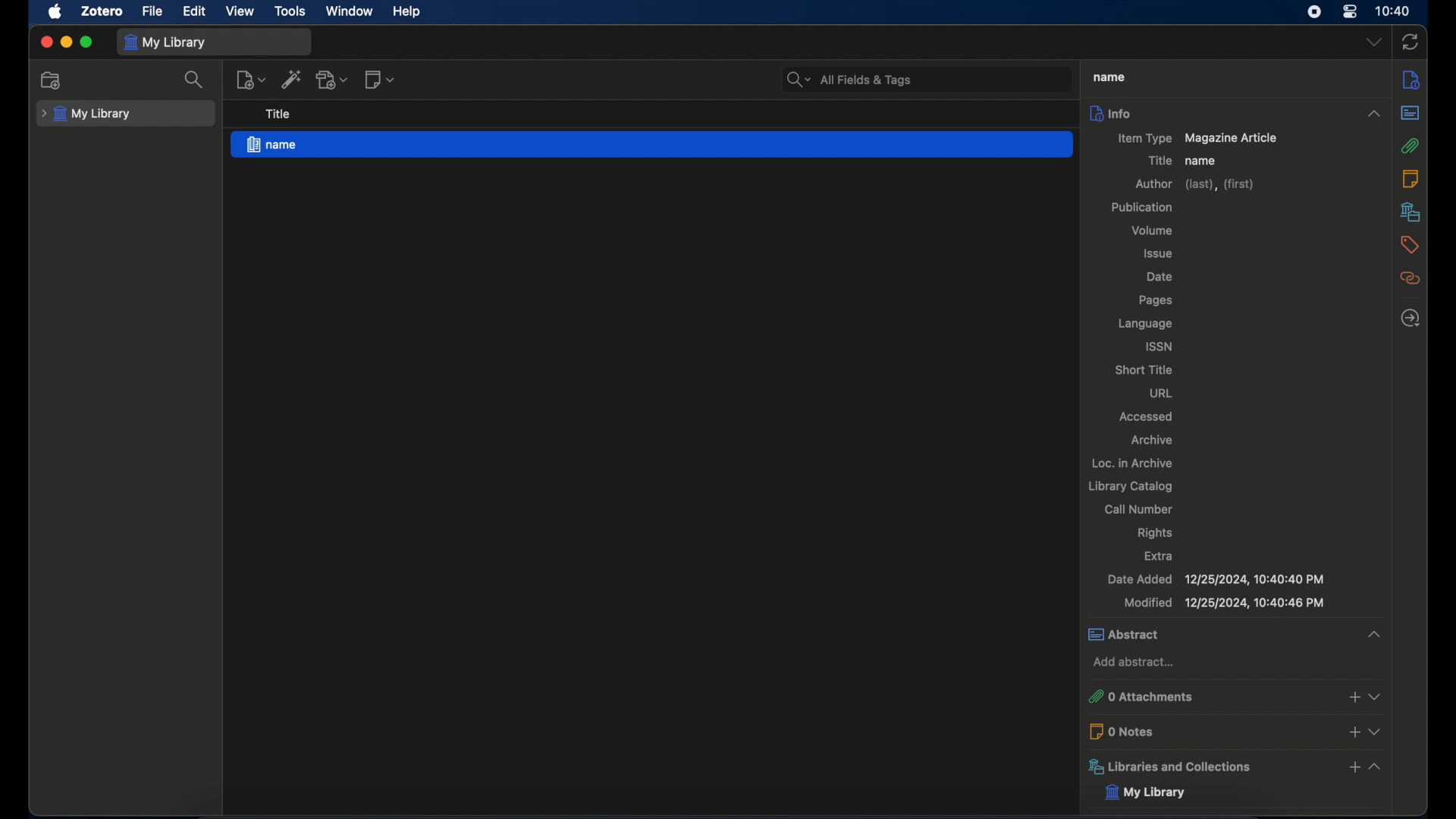 The image size is (1456, 819). What do you see at coordinates (1235, 697) in the screenshot?
I see `0 attachments` at bounding box center [1235, 697].